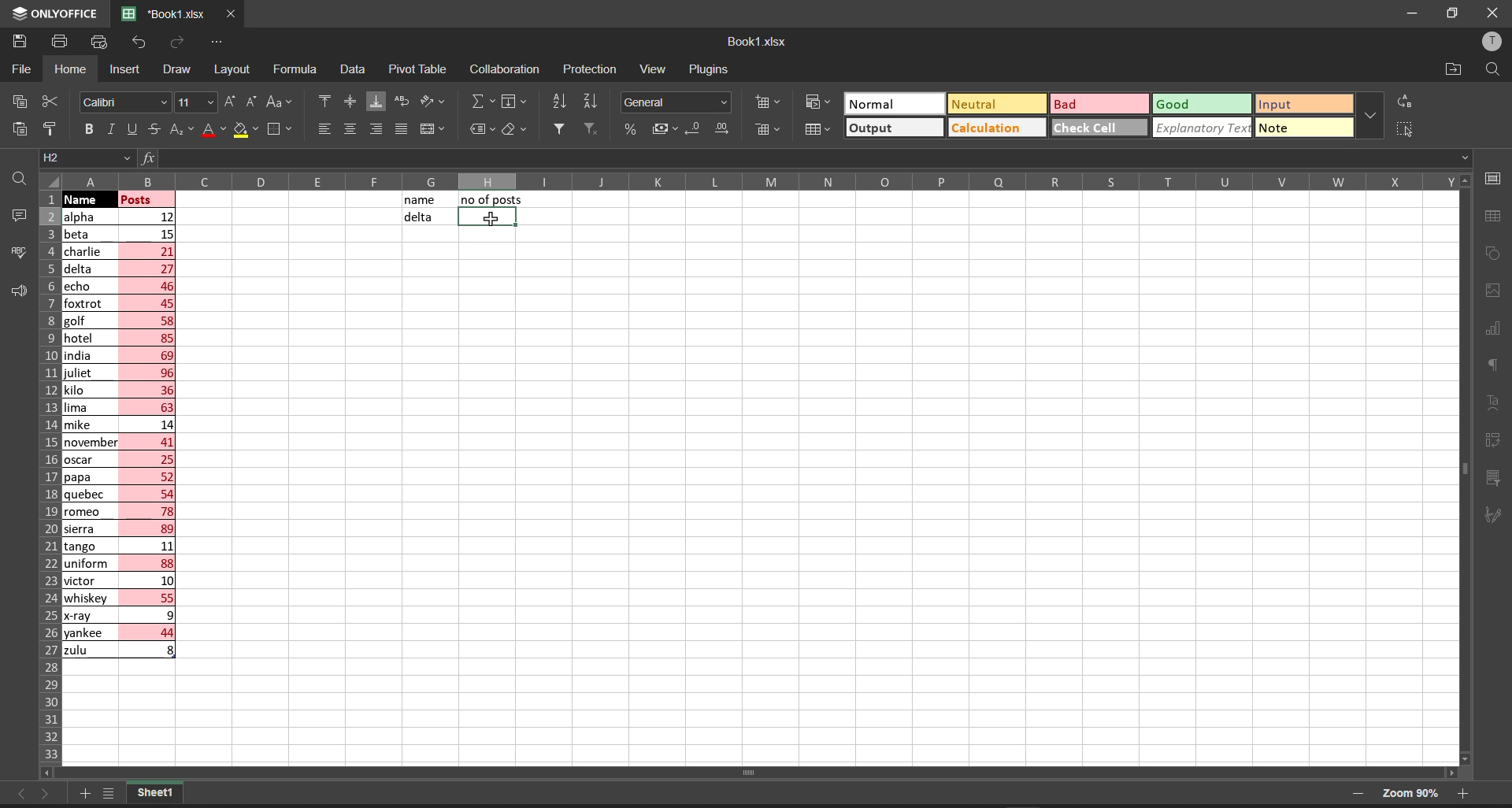 The width and height of the screenshot is (1512, 808). I want to click on paragraph settings, so click(1496, 366).